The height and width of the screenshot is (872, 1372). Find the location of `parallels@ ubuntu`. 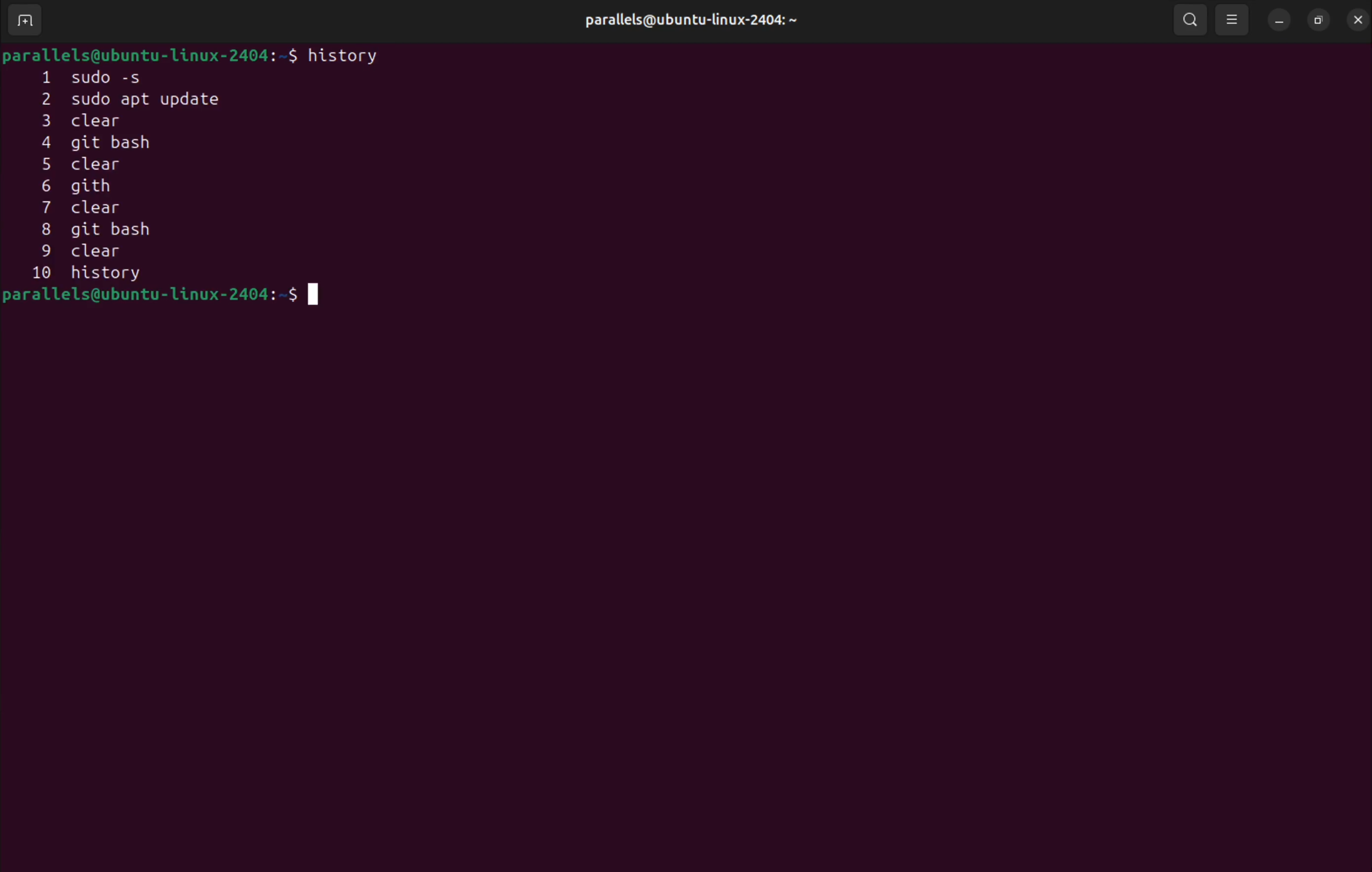

parallels@ ubuntu is located at coordinates (687, 18).